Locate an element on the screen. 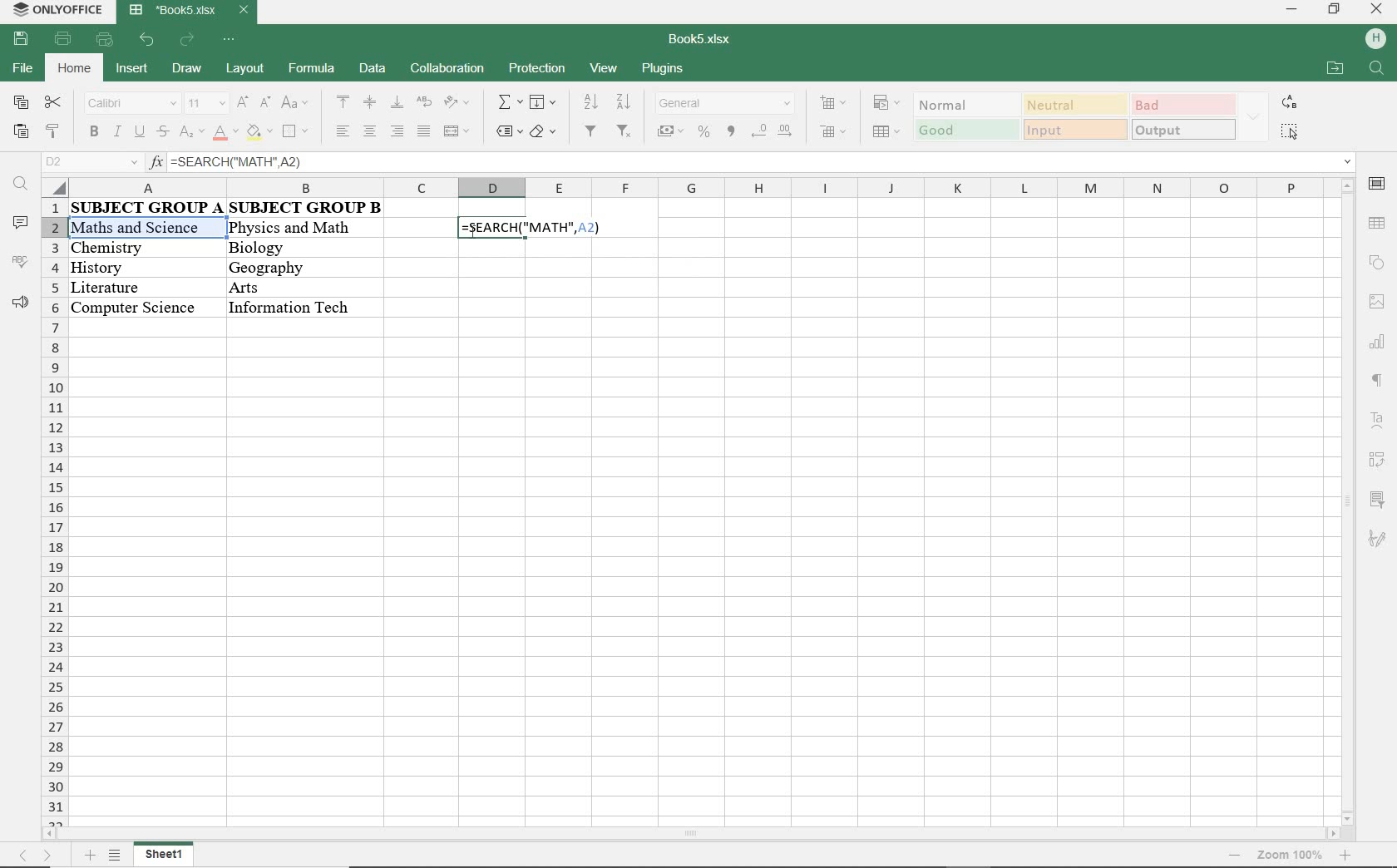 The width and height of the screenshot is (1397, 868). open file location is located at coordinates (1334, 67).